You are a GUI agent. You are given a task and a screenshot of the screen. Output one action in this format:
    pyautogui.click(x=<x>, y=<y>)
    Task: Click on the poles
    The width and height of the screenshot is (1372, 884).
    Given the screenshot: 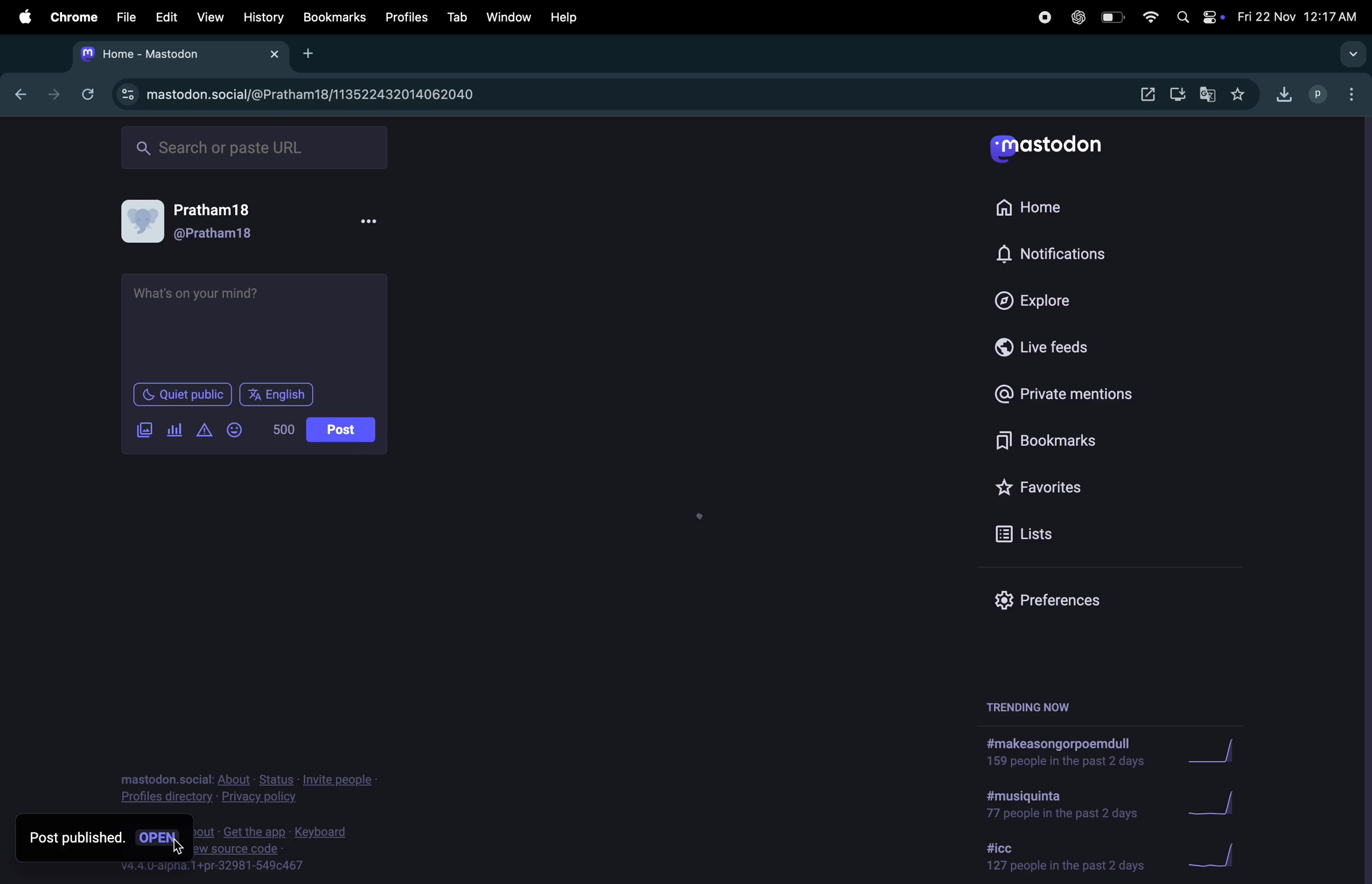 What is the action you would take?
    pyautogui.click(x=174, y=429)
    